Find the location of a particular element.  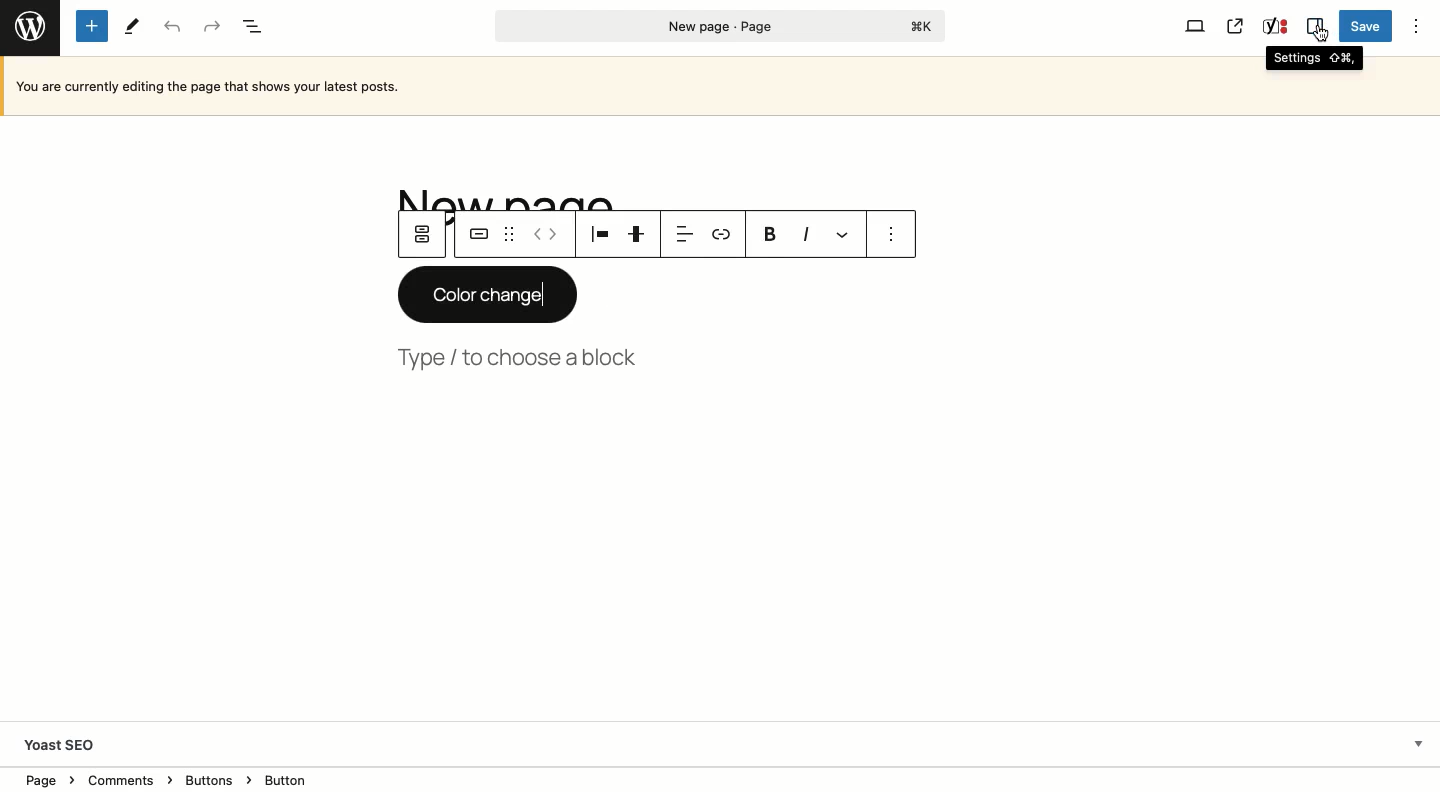

Settings is located at coordinates (1314, 60).